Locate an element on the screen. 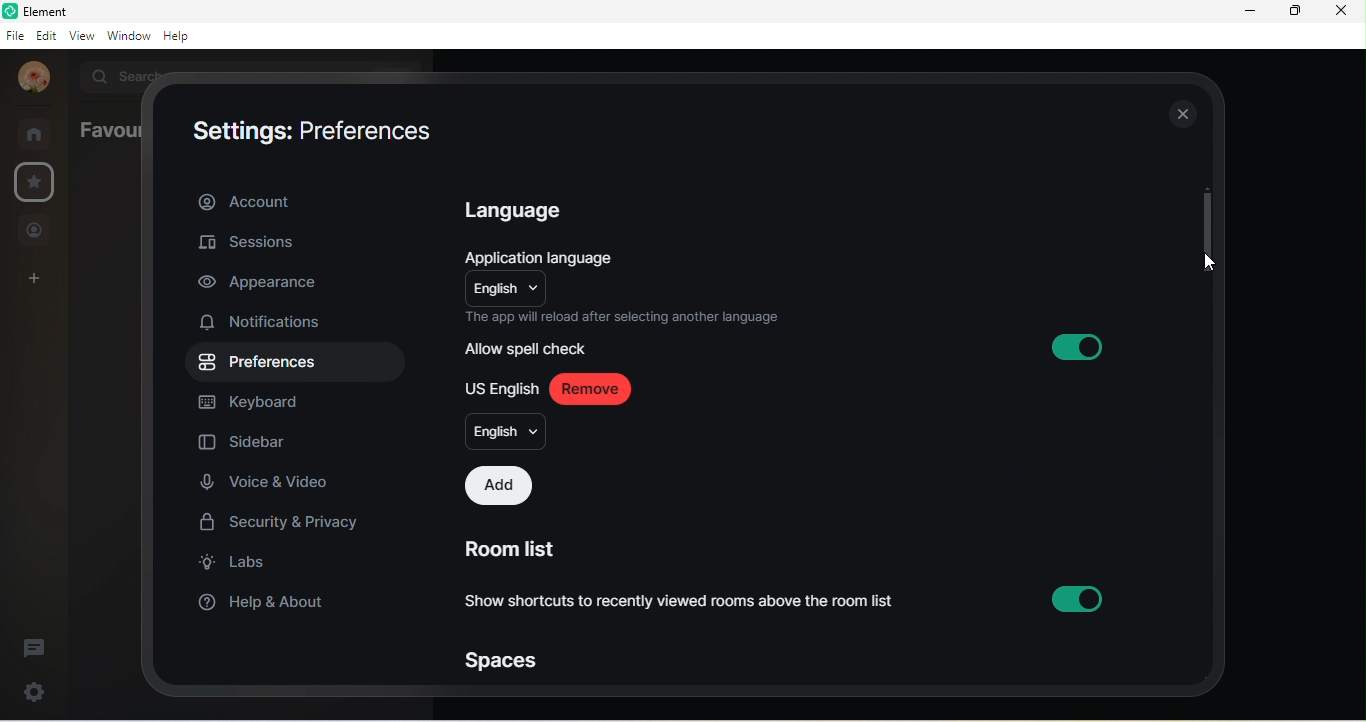 The width and height of the screenshot is (1366, 722). file is located at coordinates (14, 35).